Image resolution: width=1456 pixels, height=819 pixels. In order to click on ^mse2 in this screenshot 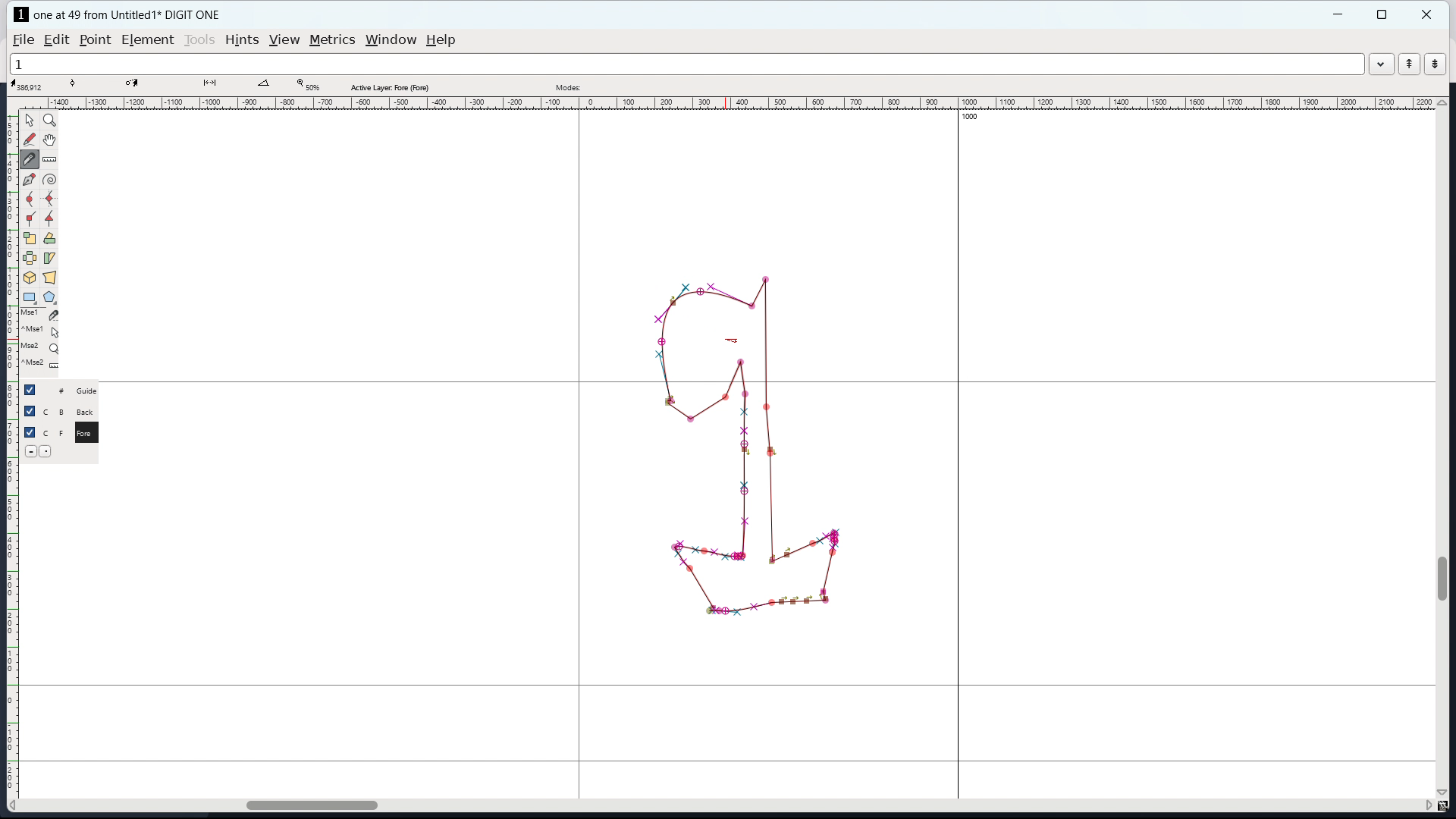, I will do `click(42, 365)`.